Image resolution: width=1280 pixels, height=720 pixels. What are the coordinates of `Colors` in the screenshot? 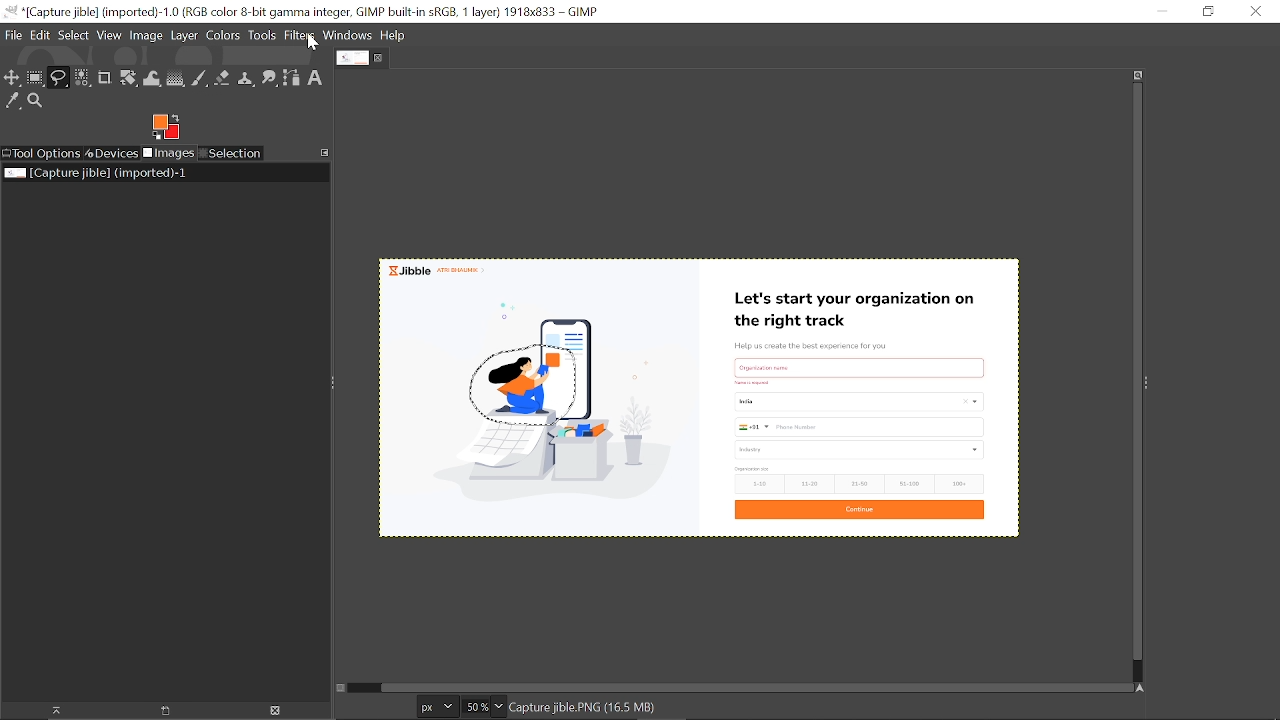 It's located at (222, 37).